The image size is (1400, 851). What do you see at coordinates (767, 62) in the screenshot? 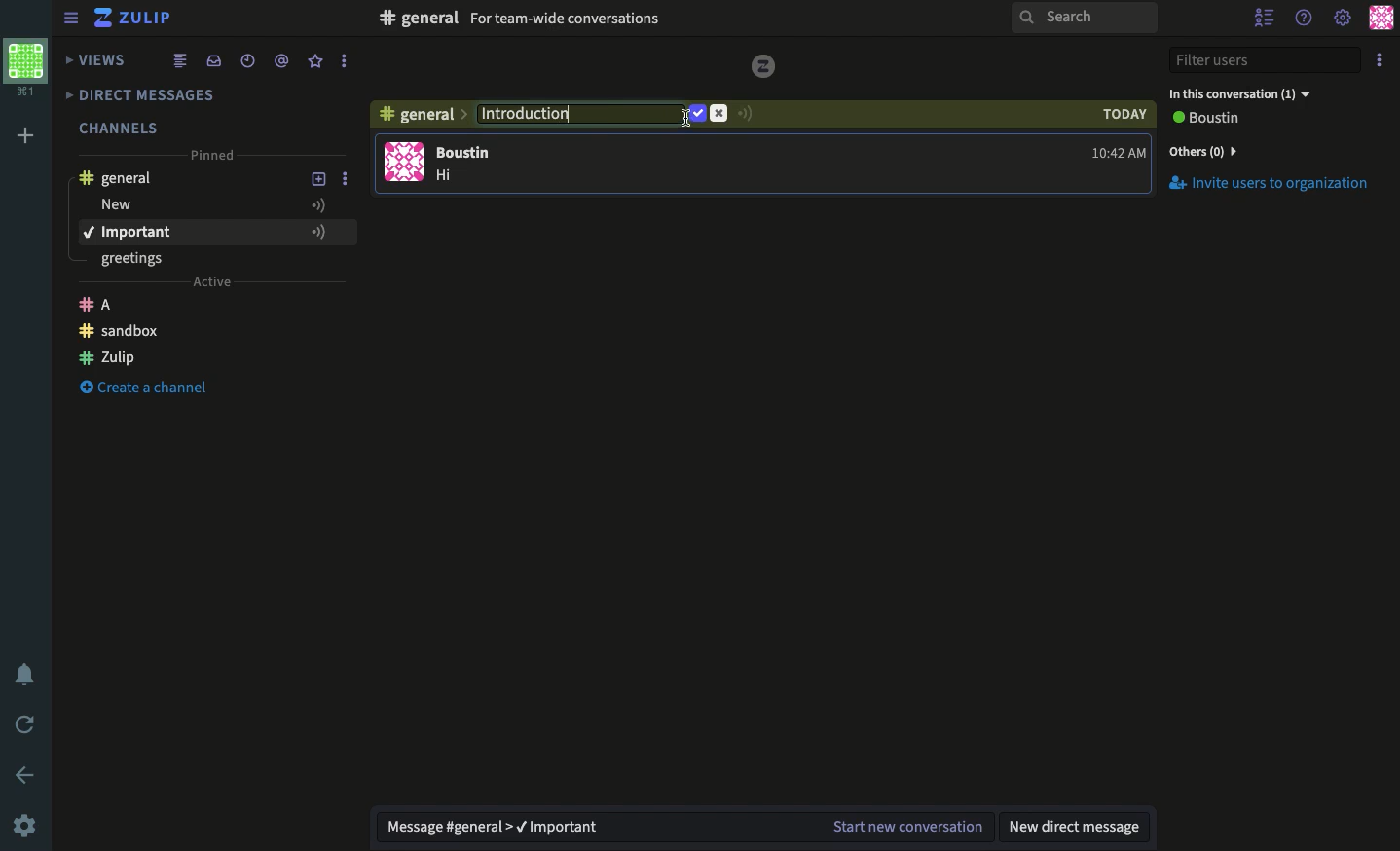
I see `logo` at bounding box center [767, 62].